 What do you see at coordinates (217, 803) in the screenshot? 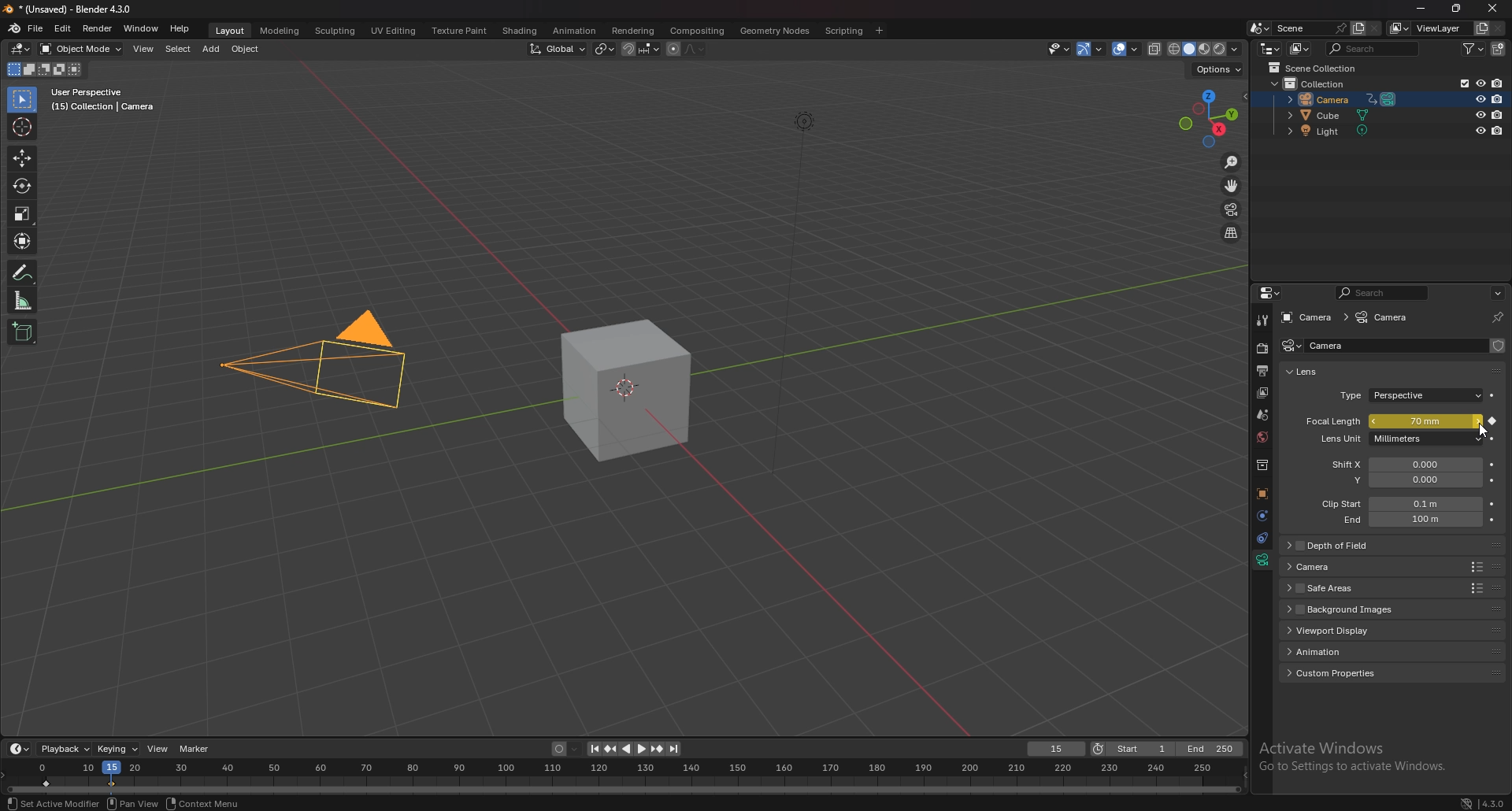
I see `` at bounding box center [217, 803].